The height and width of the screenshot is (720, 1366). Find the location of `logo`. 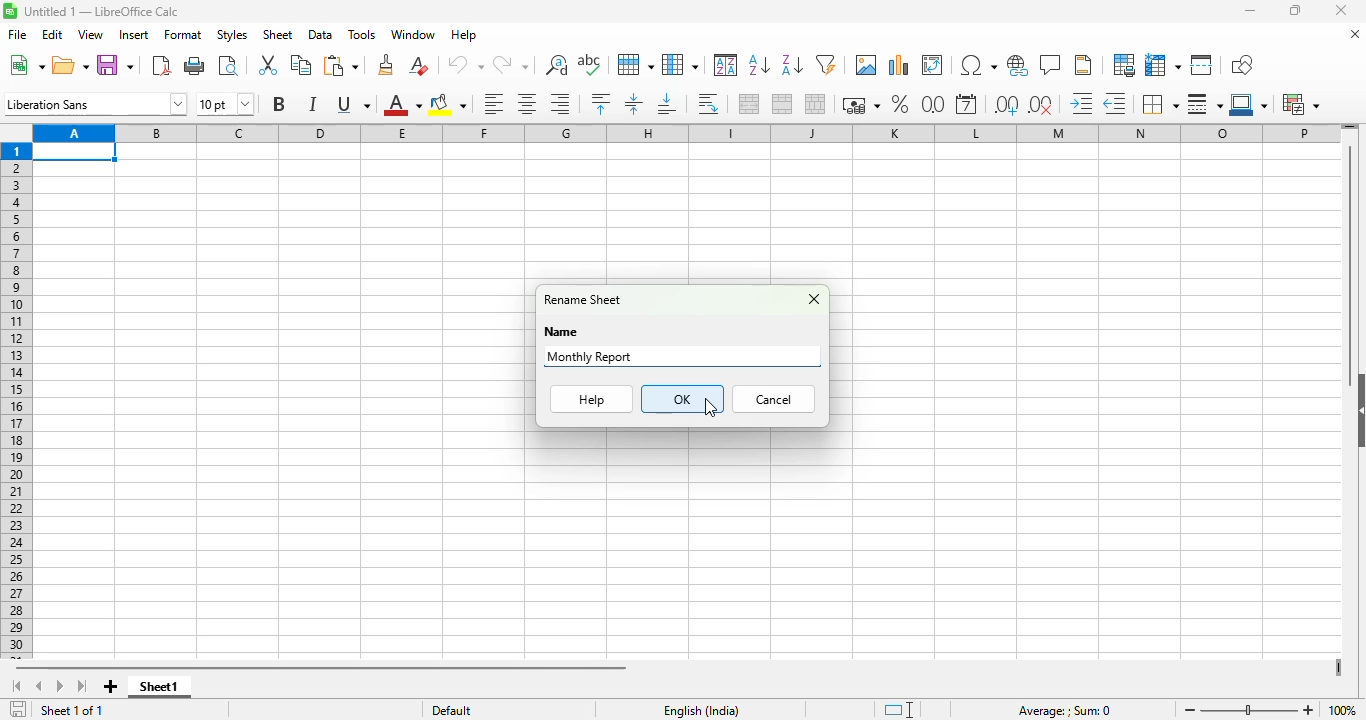

logo is located at coordinates (9, 11).